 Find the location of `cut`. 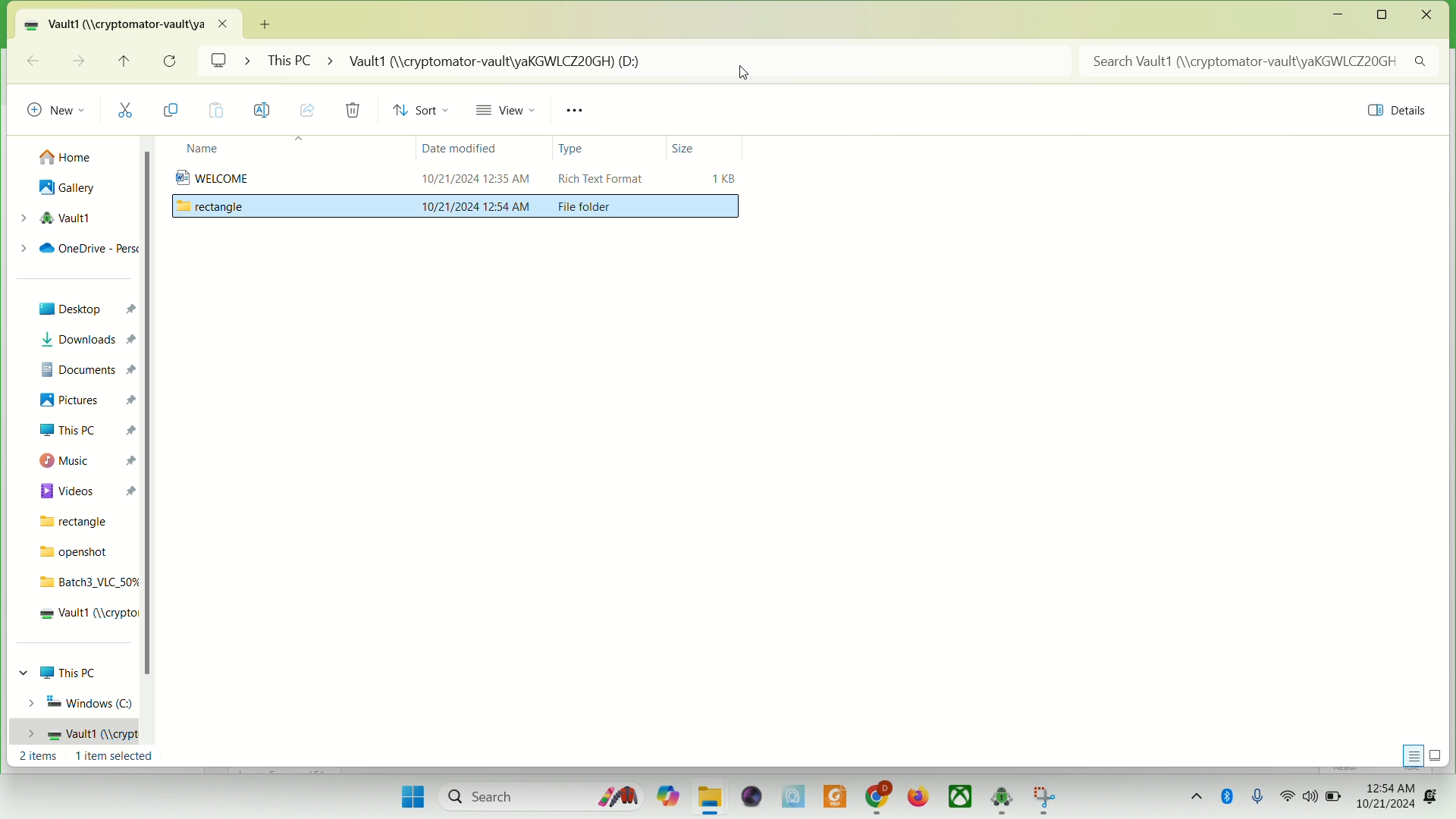

cut is located at coordinates (131, 109).